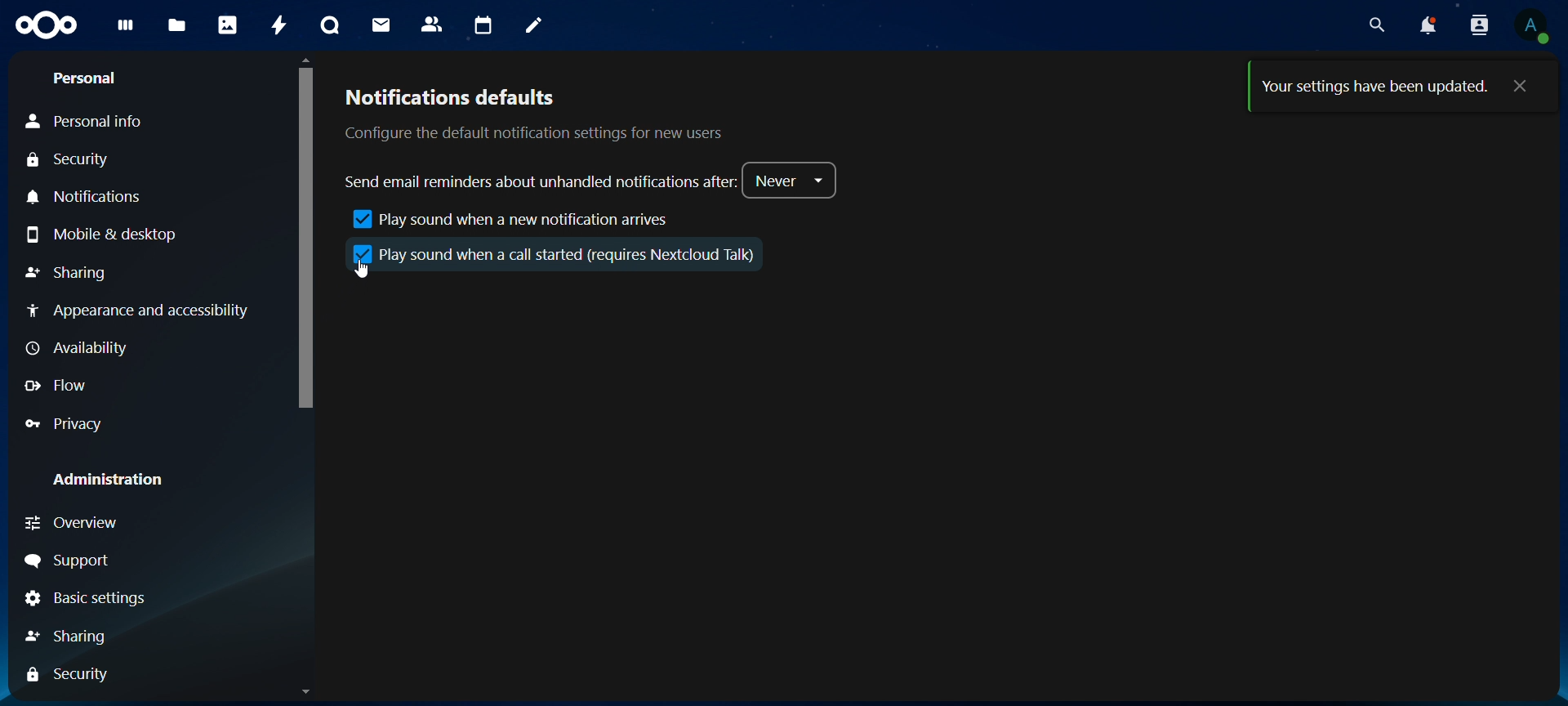 The width and height of the screenshot is (1568, 706). What do you see at coordinates (83, 78) in the screenshot?
I see `Personal` at bounding box center [83, 78].